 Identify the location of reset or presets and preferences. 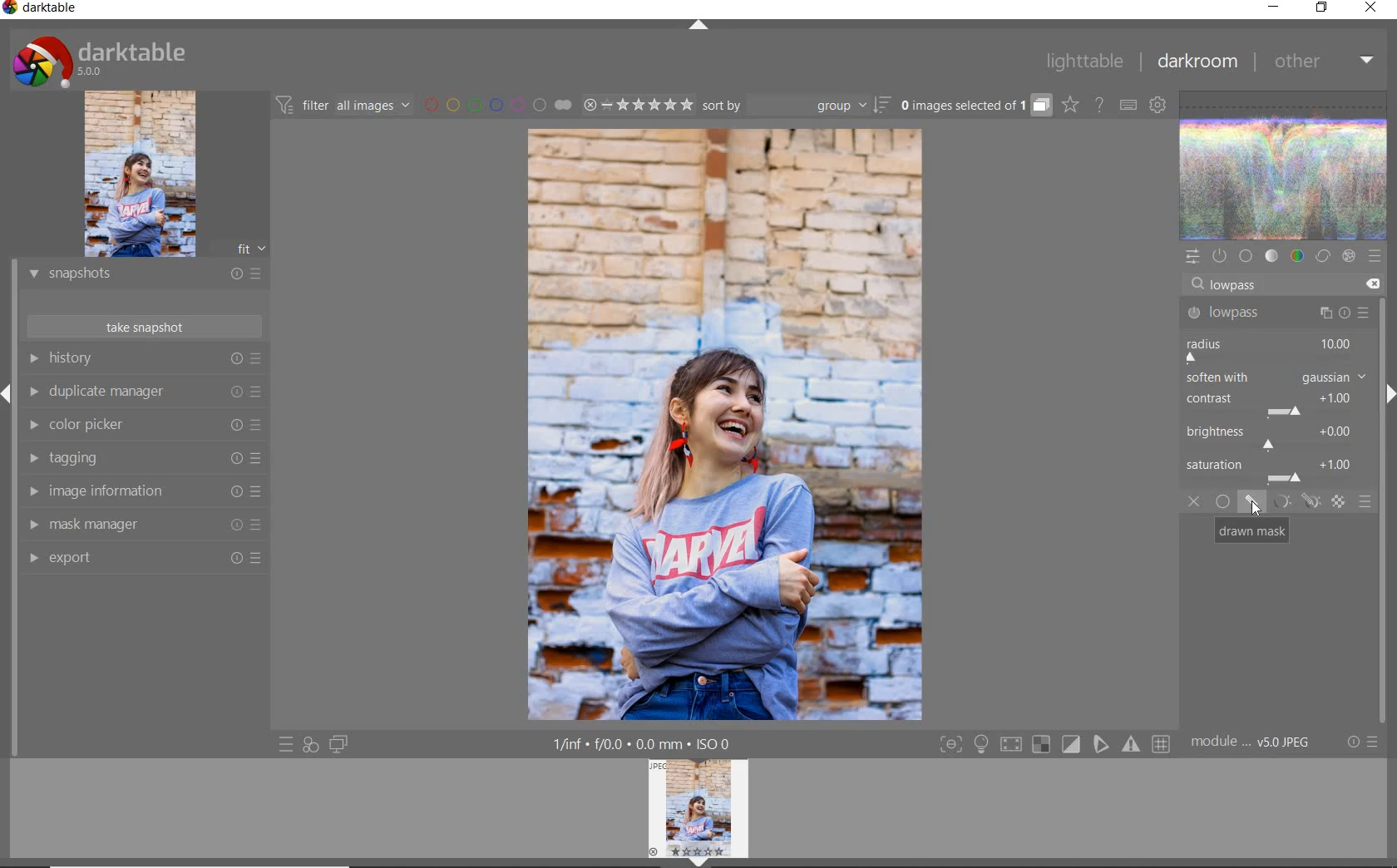
(1364, 742).